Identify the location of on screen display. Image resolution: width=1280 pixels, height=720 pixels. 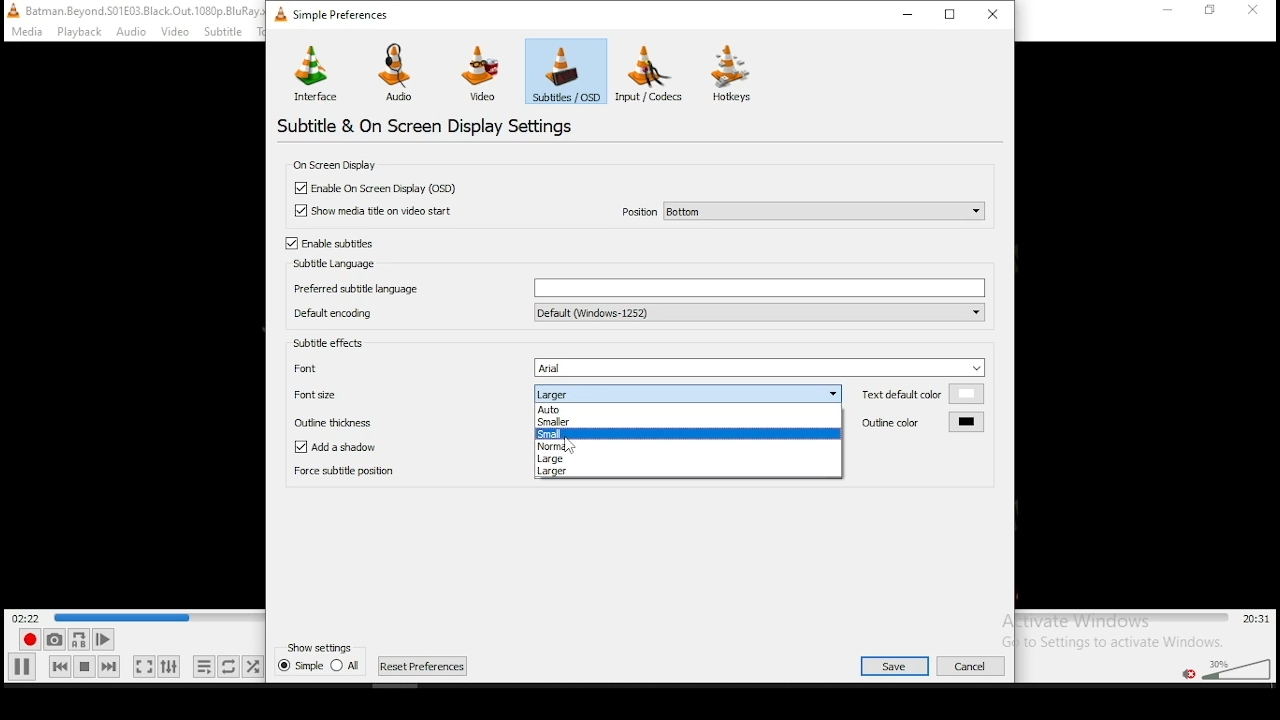
(338, 165).